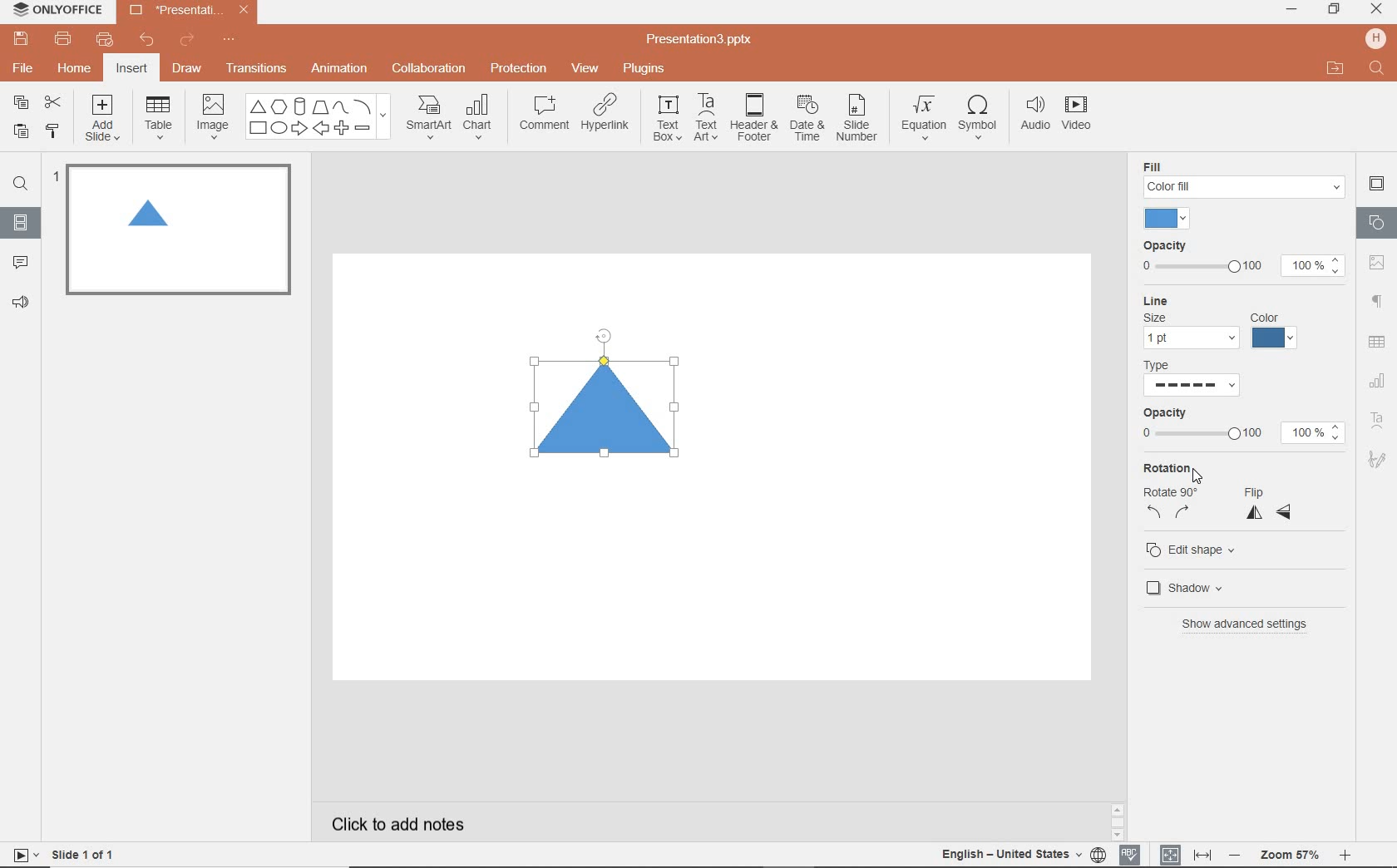  What do you see at coordinates (1199, 478) in the screenshot?
I see `mouse pointer` at bounding box center [1199, 478].